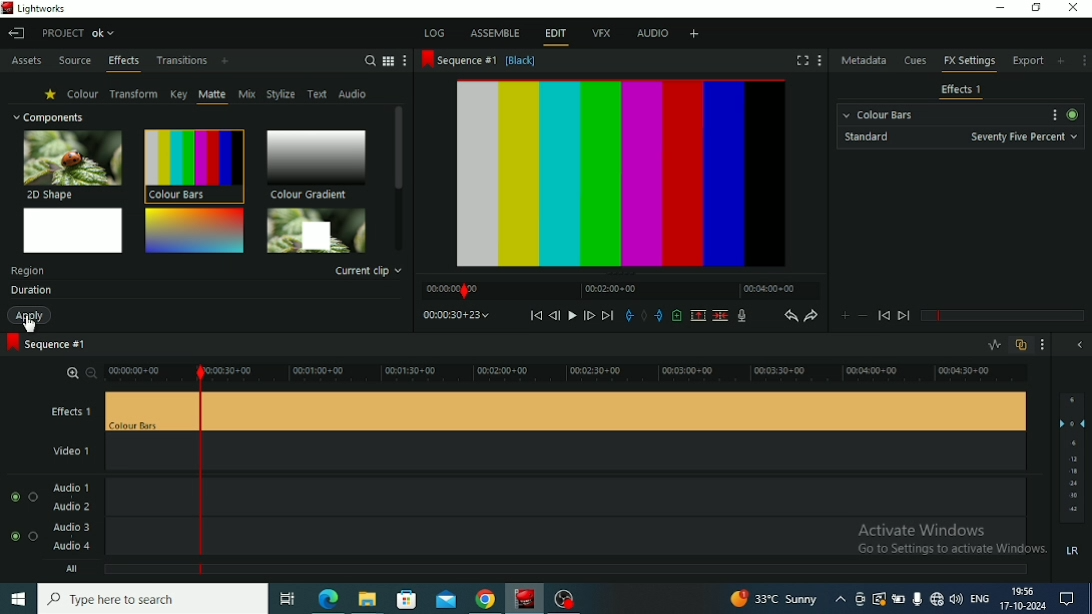  What do you see at coordinates (70, 371) in the screenshot?
I see `Zoom In ` at bounding box center [70, 371].